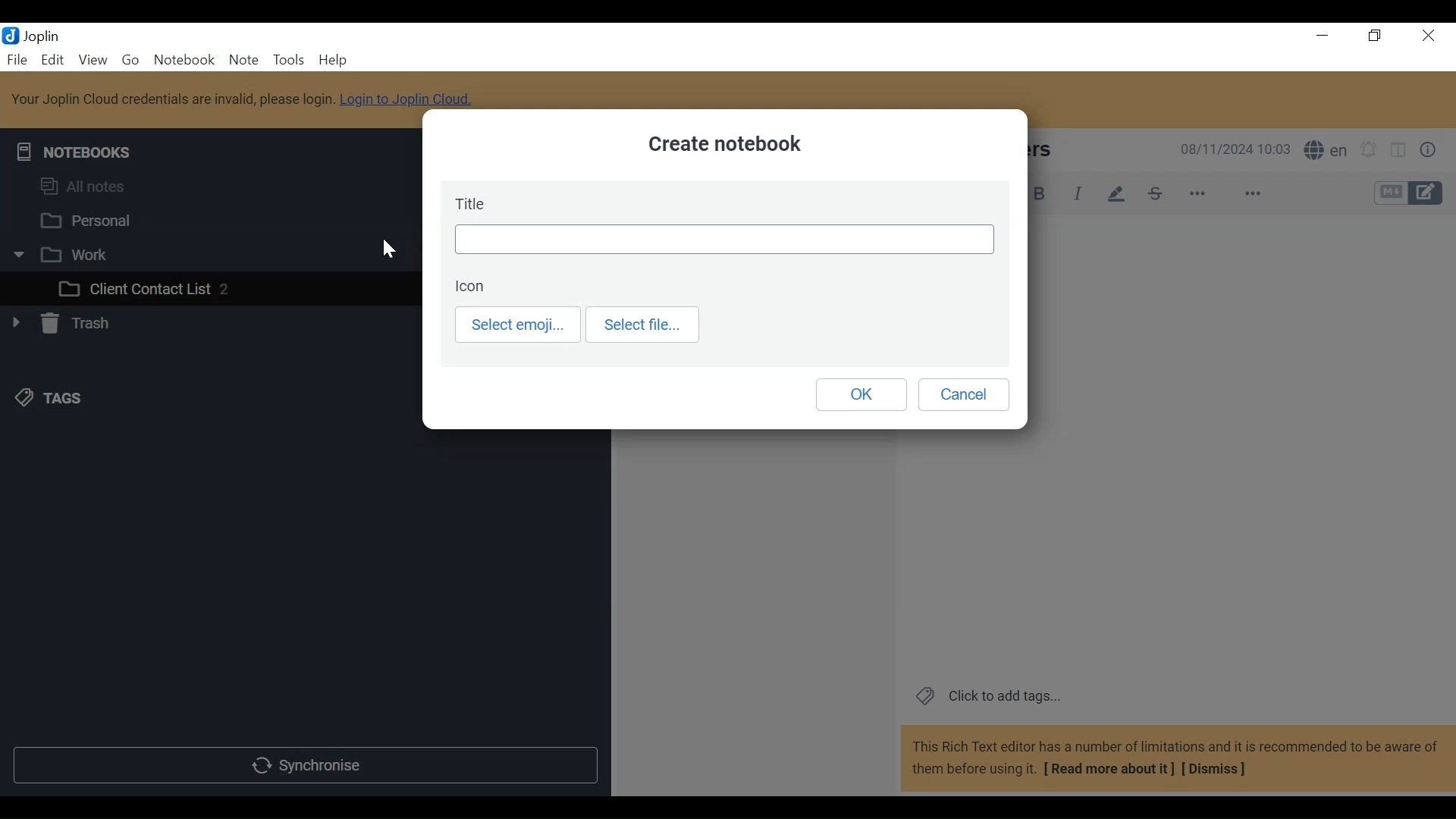 The image size is (1456, 819). I want to click on Create notebook, so click(726, 146).